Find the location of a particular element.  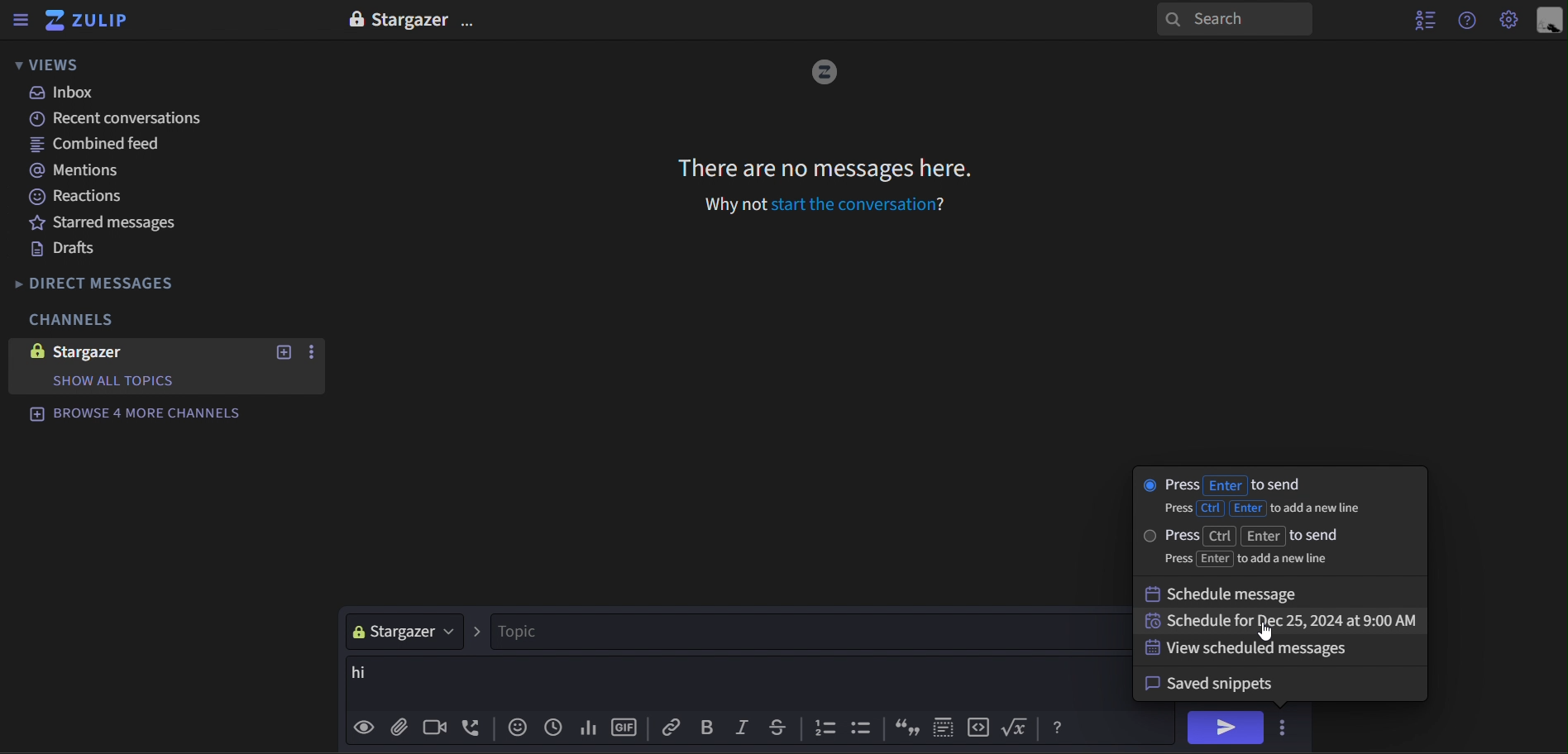

bold is located at coordinates (710, 729).